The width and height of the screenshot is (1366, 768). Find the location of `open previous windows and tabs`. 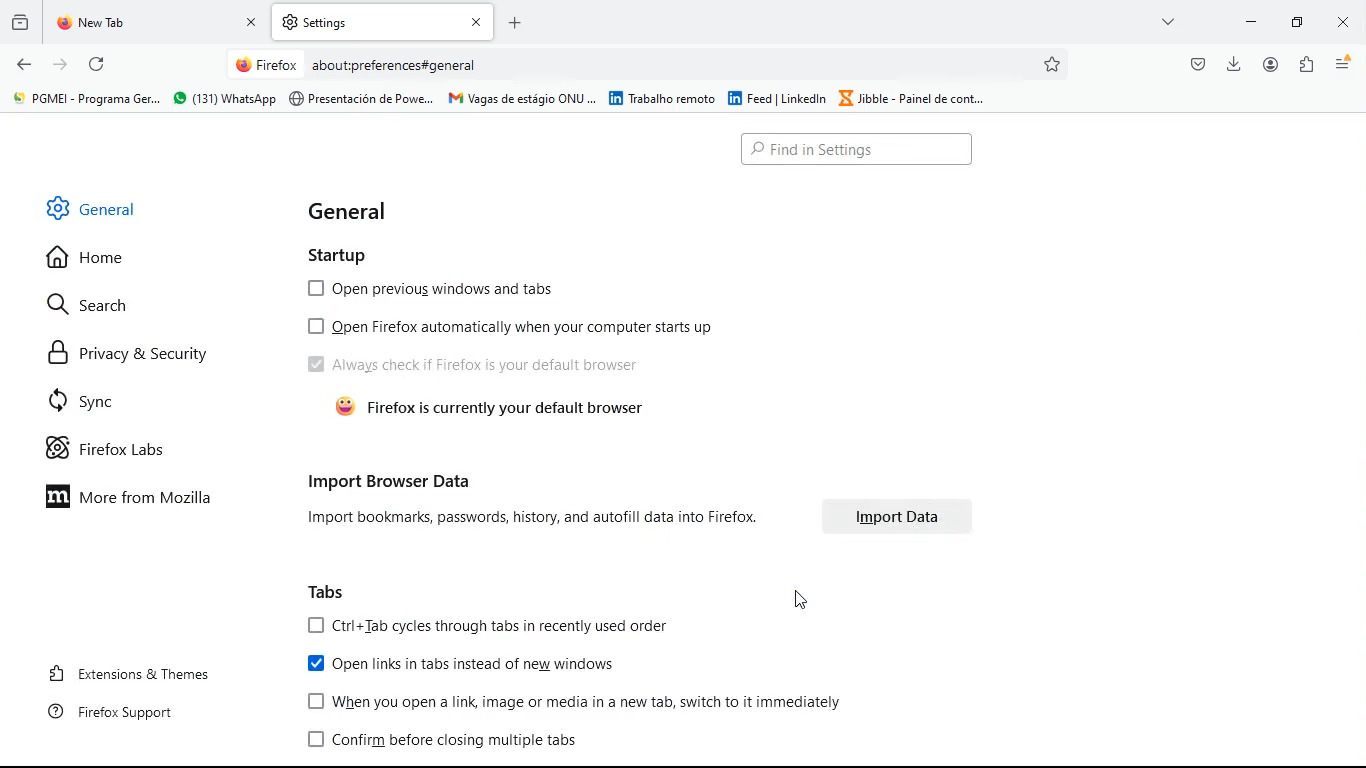

open previous windows and tabs is located at coordinates (431, 289).